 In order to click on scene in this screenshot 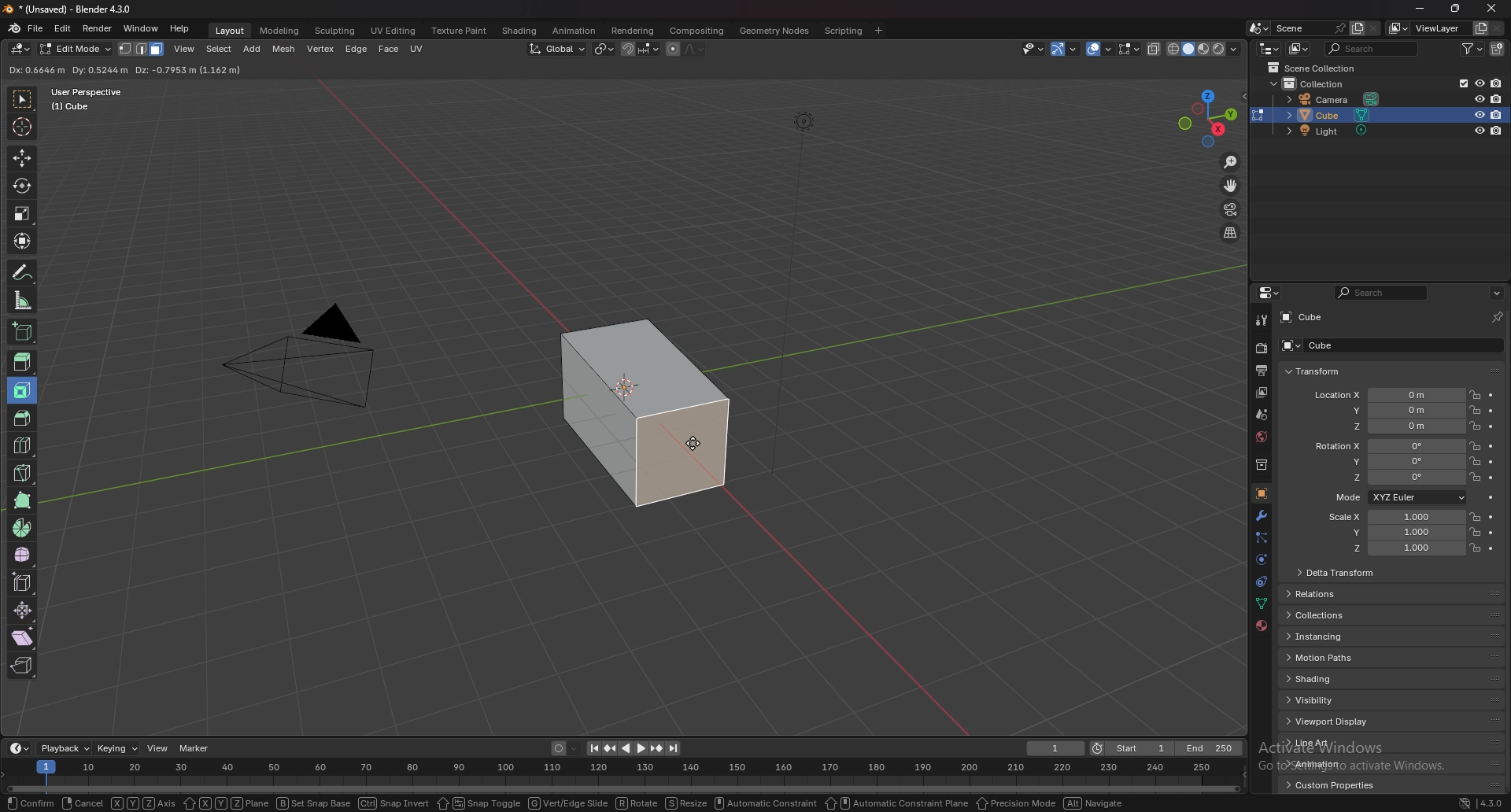, I will do `click(1261, 414)`.